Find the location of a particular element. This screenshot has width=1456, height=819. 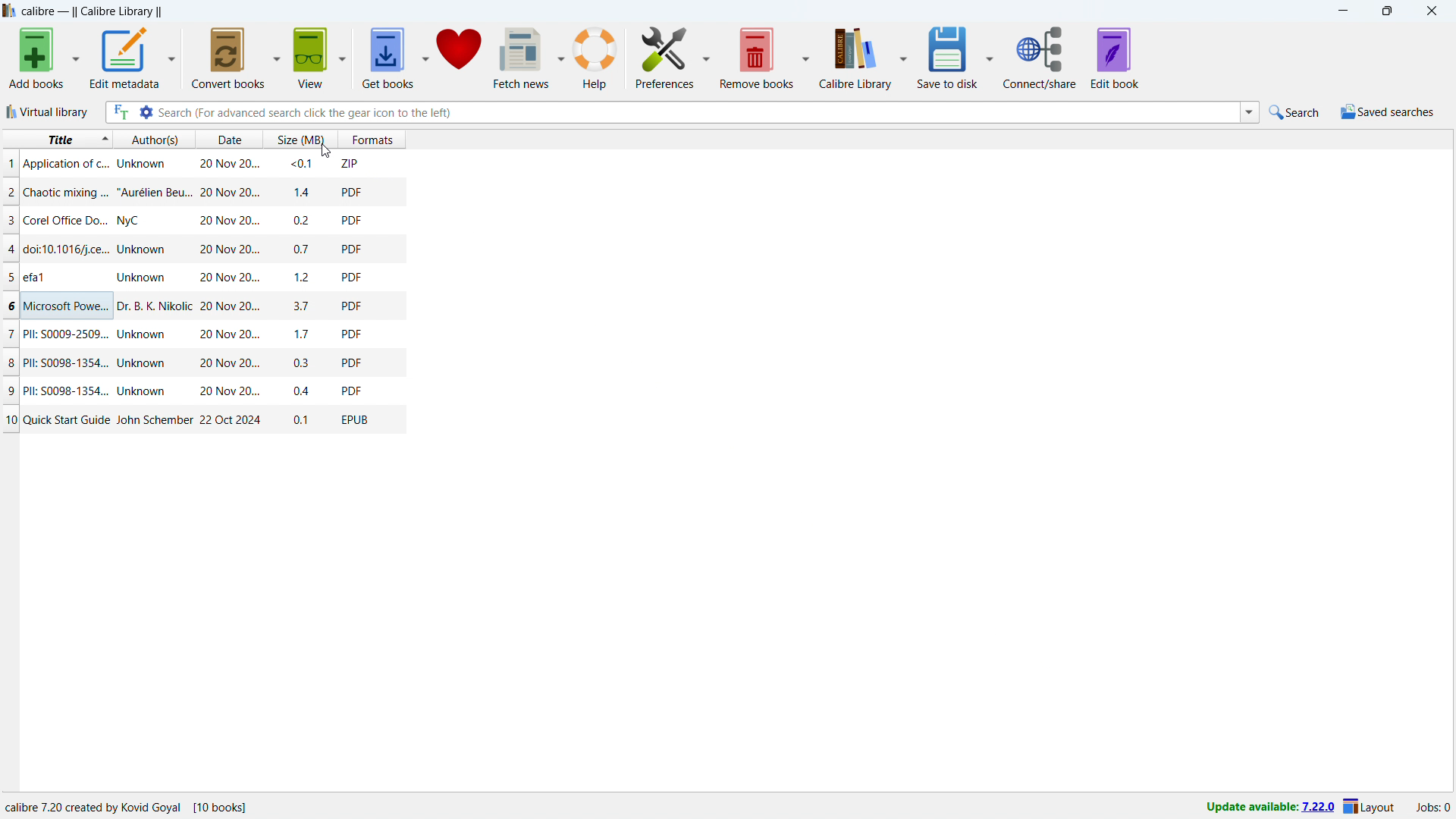

enter search string is located at coordinates (698, 111).